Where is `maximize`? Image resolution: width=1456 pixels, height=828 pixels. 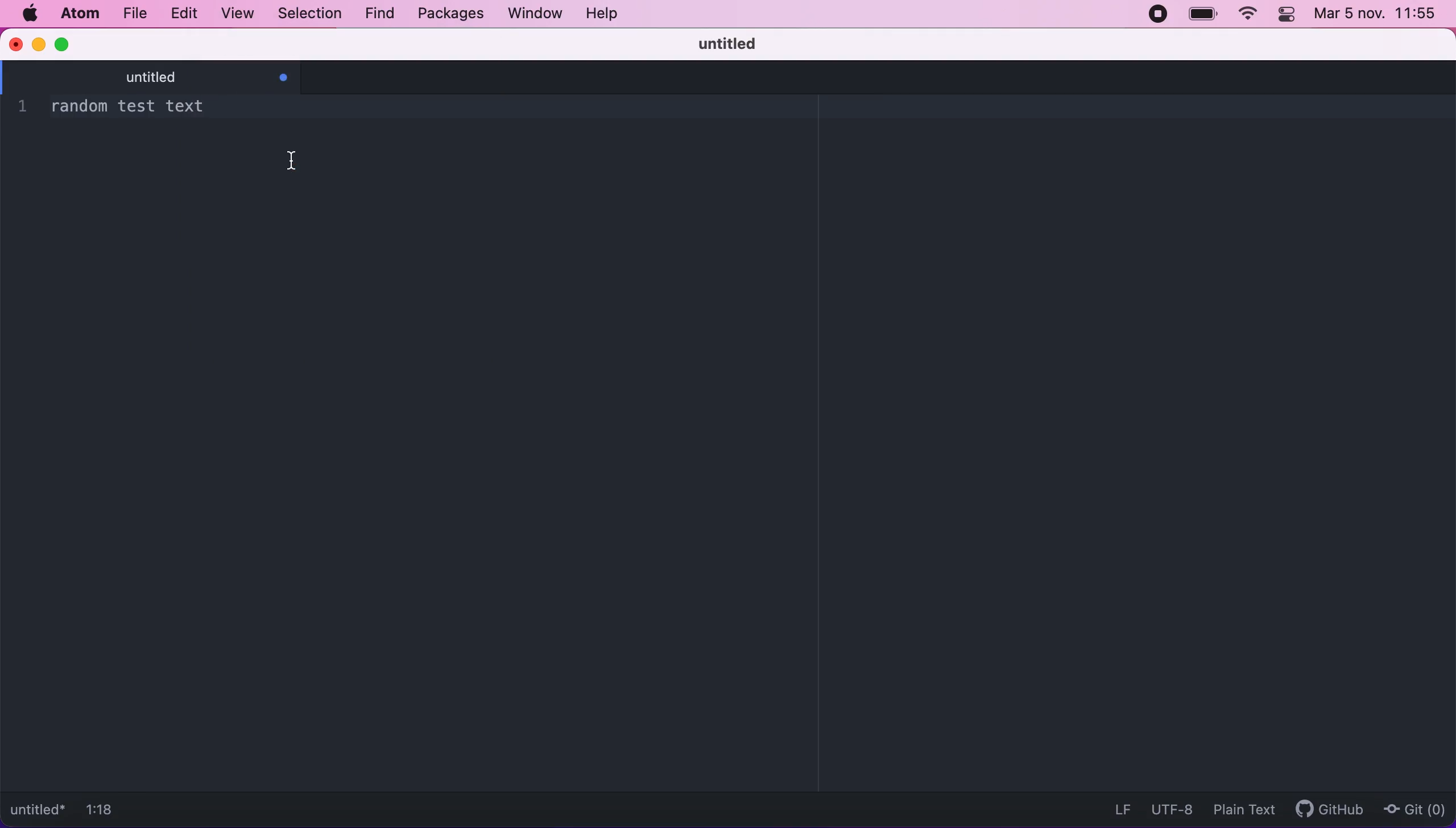
maximize is located at coordinates (71, 46).